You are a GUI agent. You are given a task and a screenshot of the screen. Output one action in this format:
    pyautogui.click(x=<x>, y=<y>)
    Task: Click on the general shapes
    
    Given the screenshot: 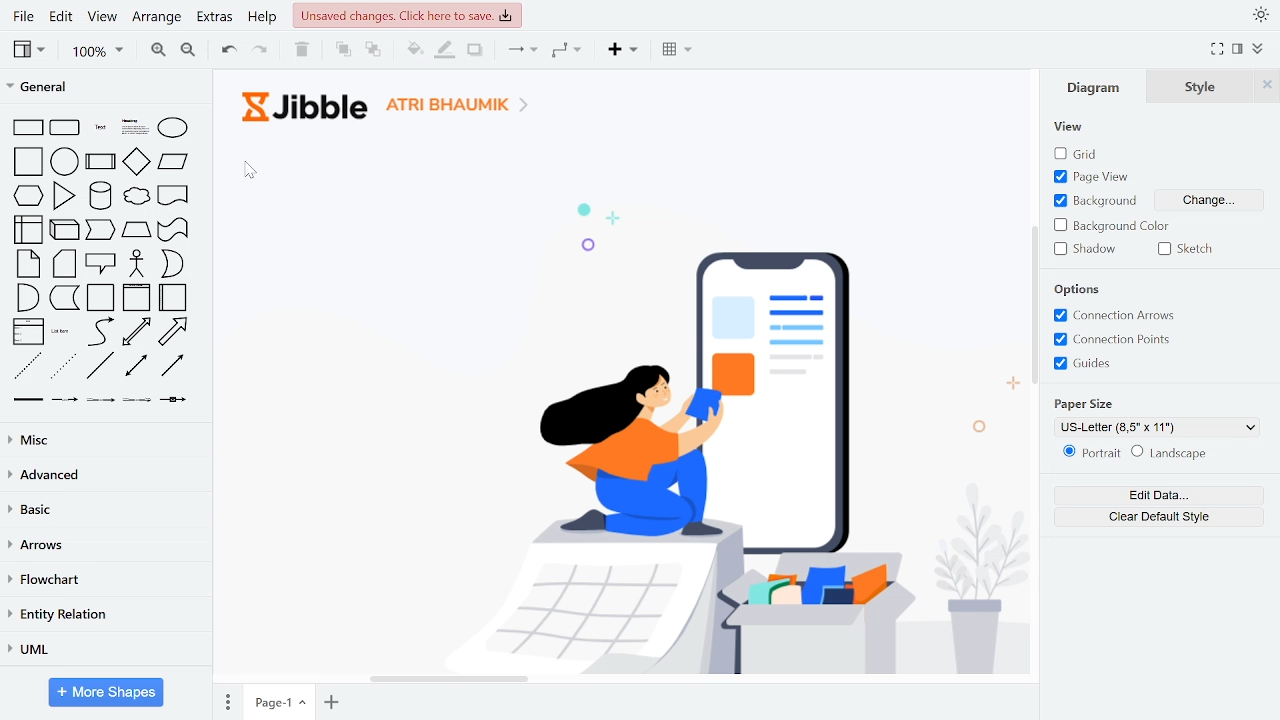 What is the action you would take?
    pyautogui.click(x=134, y=332)
    